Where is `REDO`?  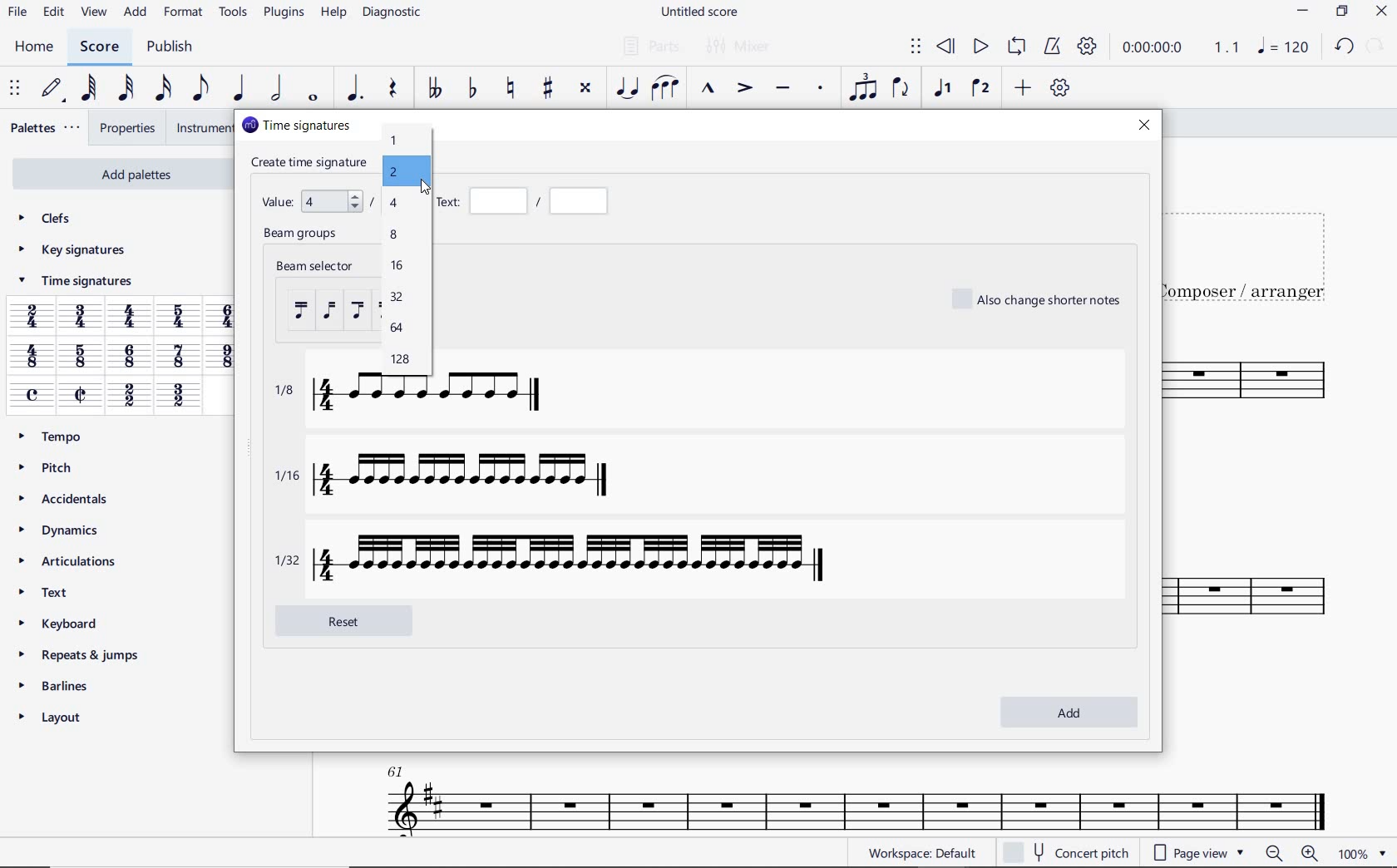
REDO is located at coordinates (1376, 45).